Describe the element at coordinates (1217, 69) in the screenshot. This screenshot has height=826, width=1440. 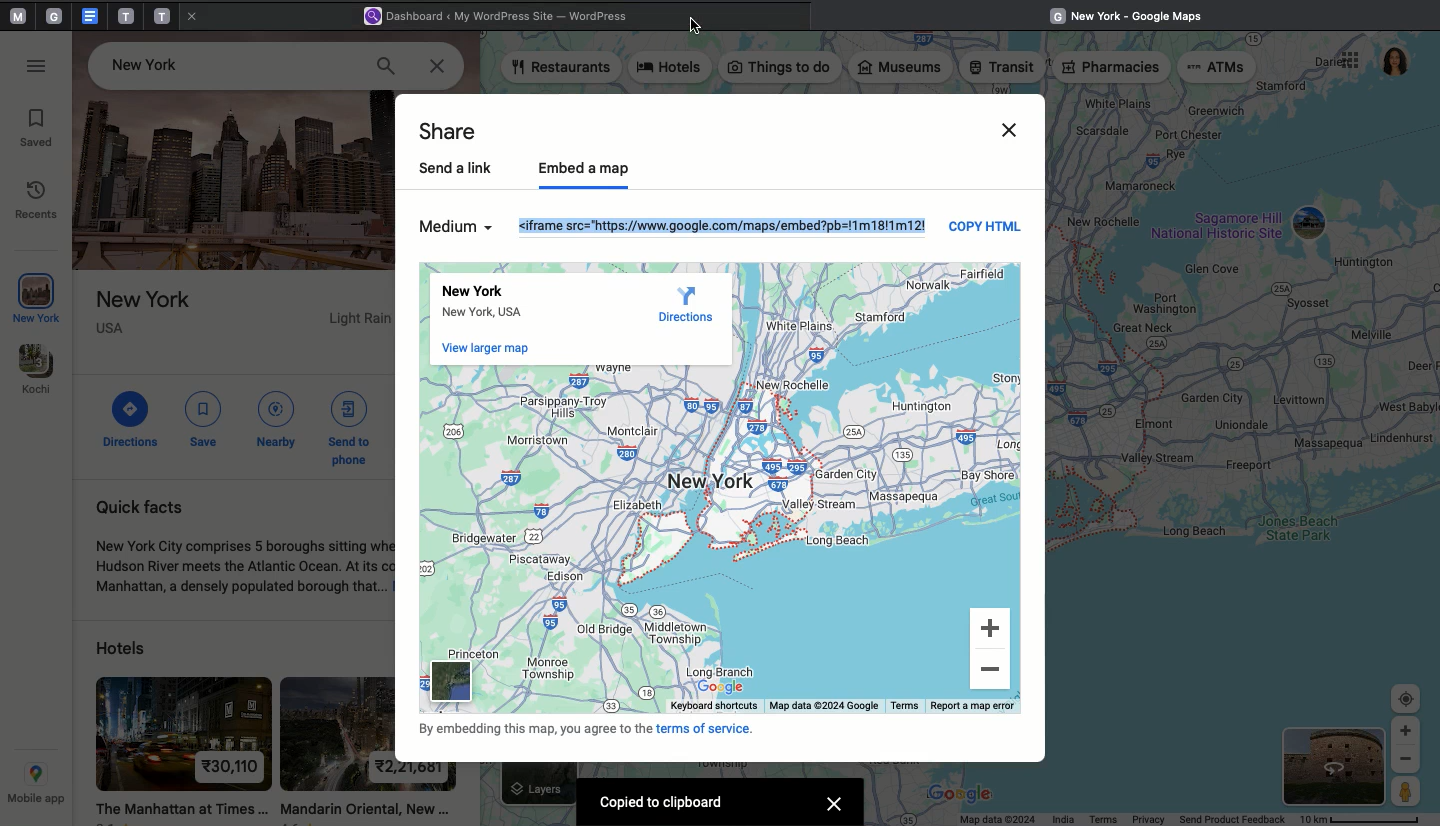
I see `ATMs` at that location.